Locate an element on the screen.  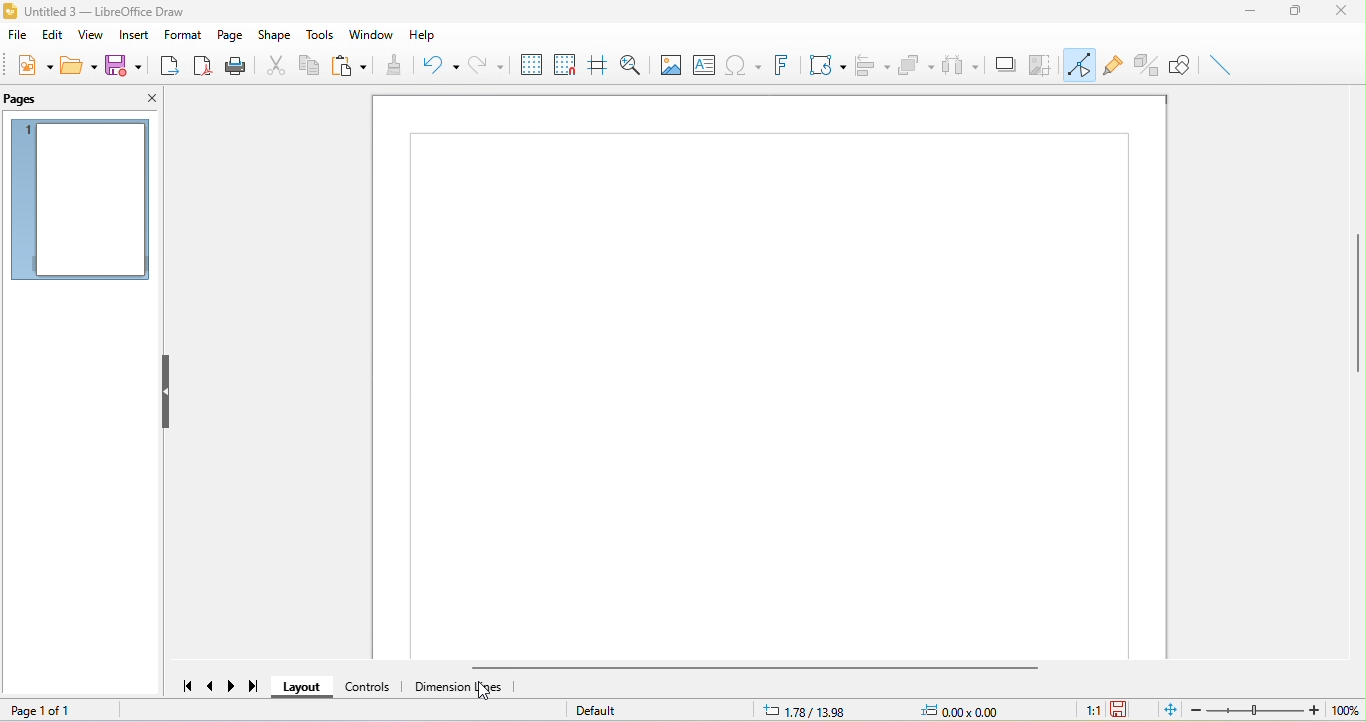
file is located at coordinates (17, 36).